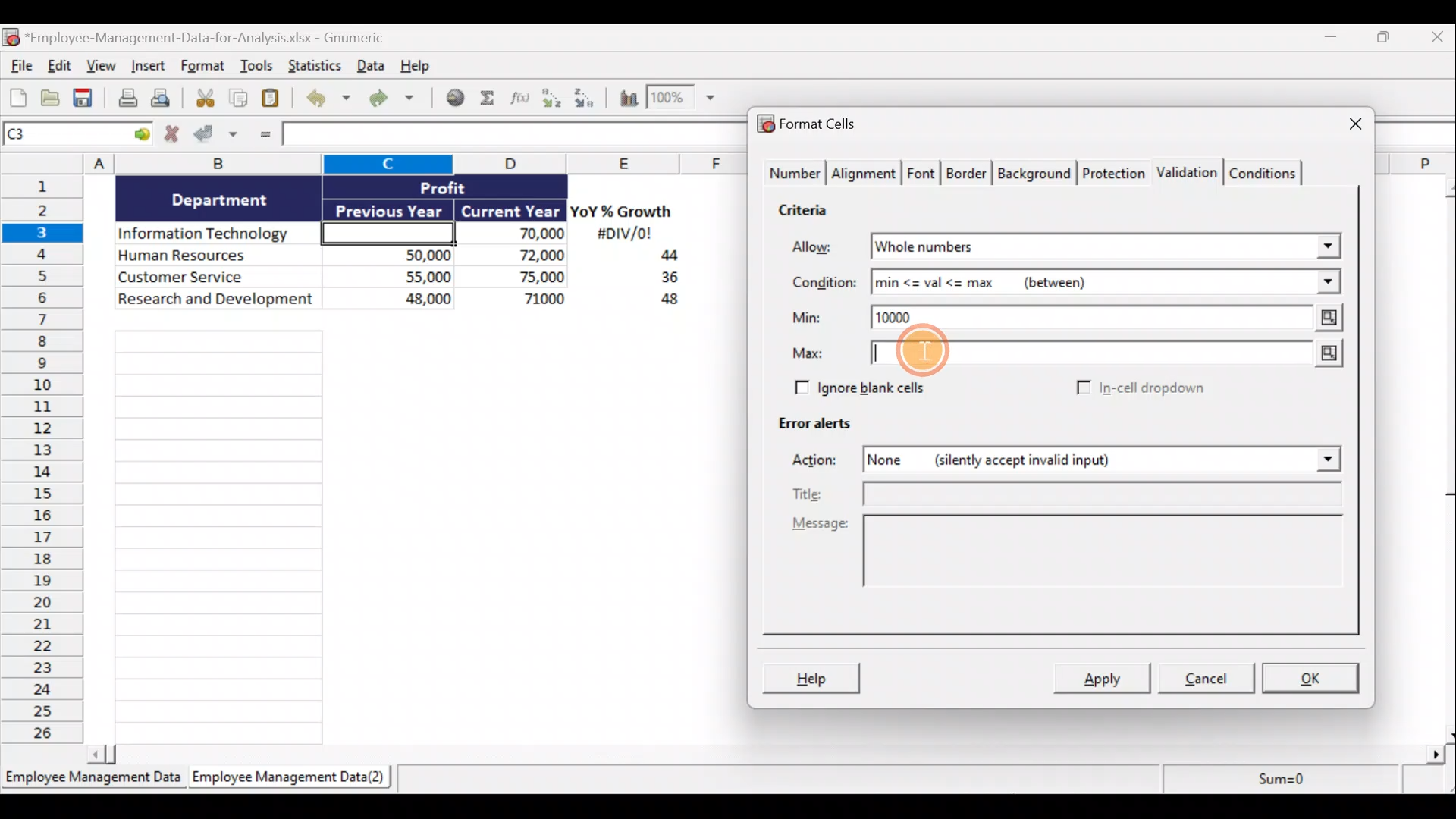  I want to click on Max:, so click(808, 356).